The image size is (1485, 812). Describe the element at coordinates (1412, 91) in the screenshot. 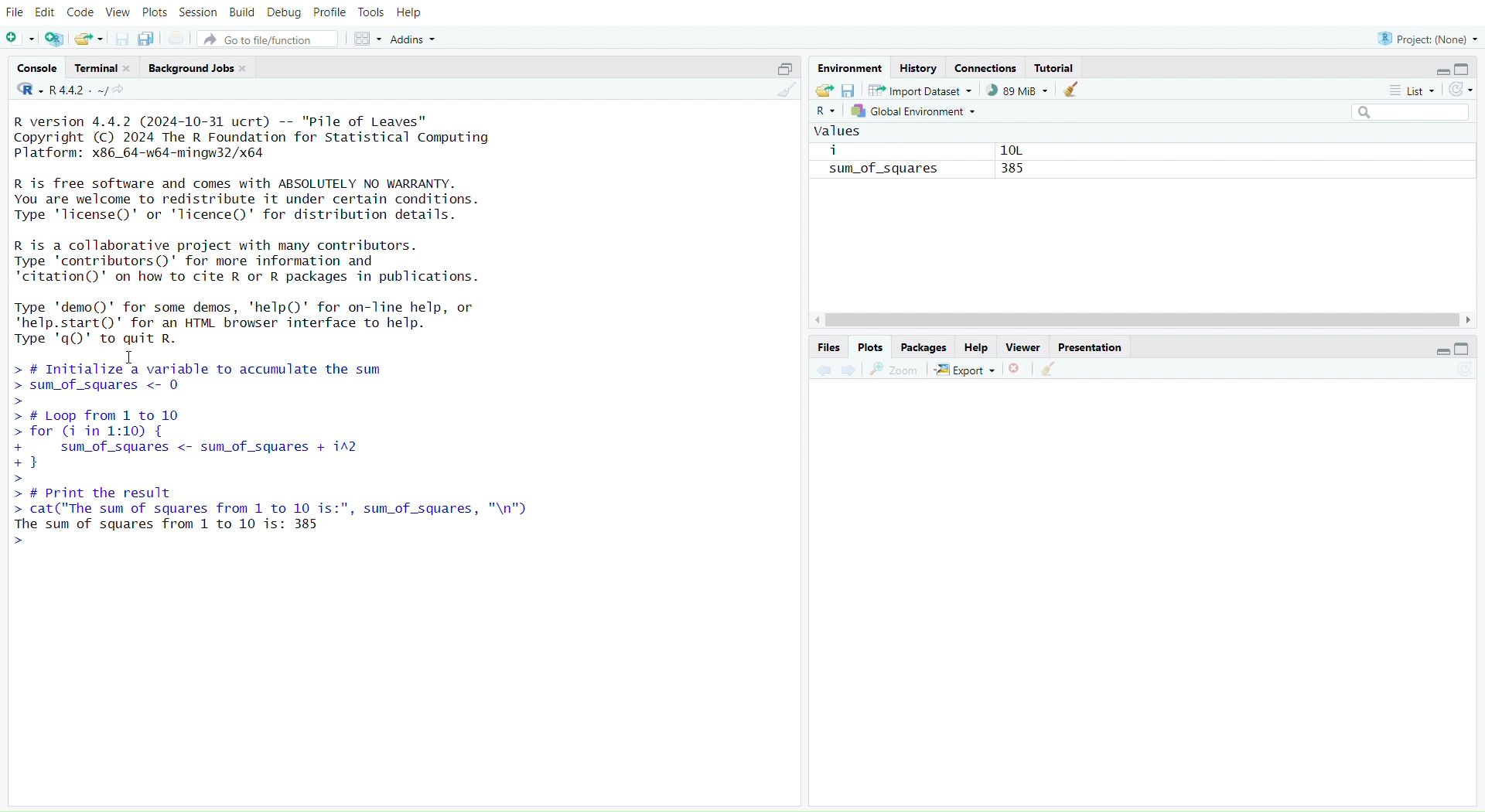

I see `list` at that location.